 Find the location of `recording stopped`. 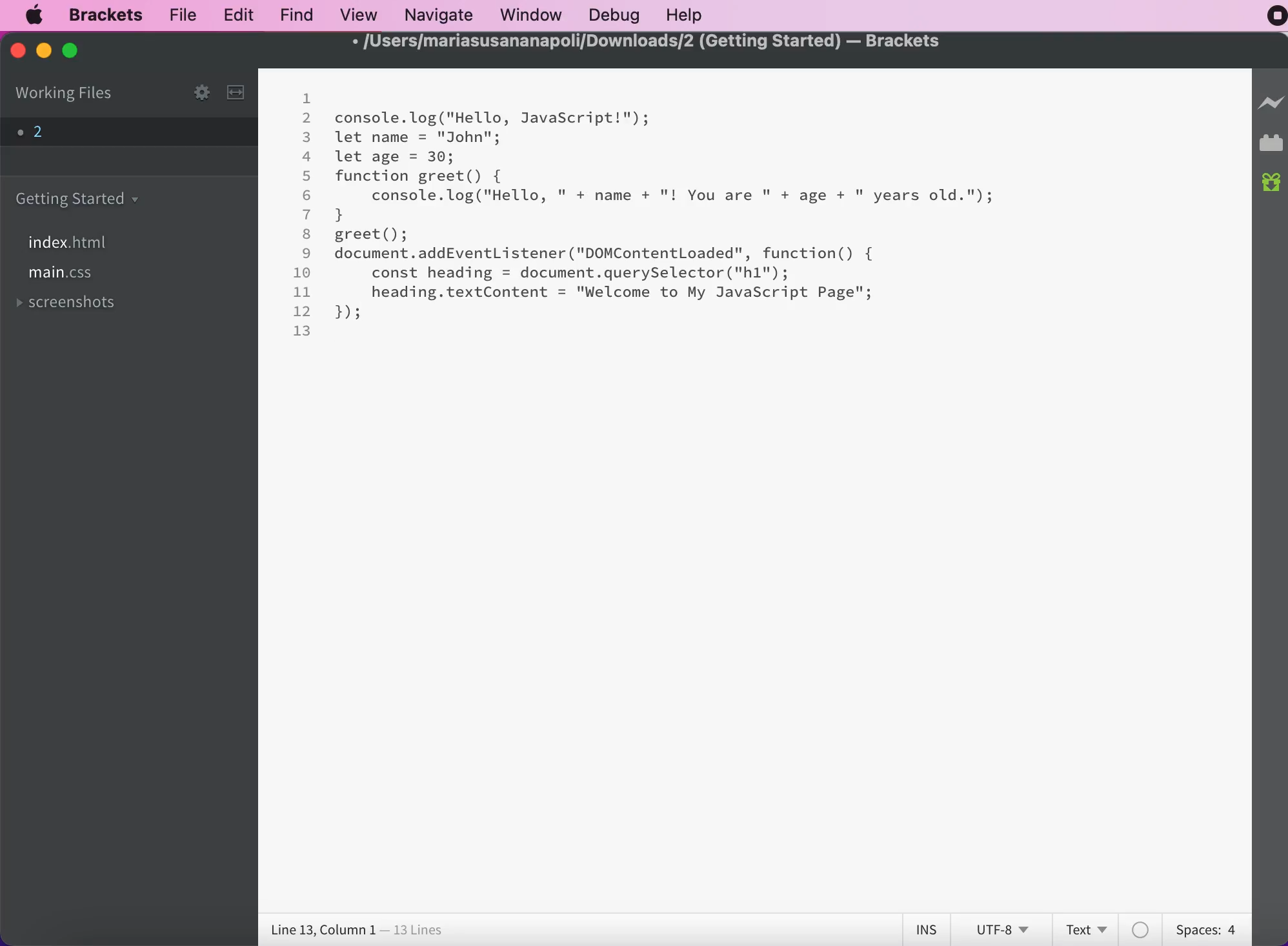

recording stopped is located at coordinates (1271, 18).